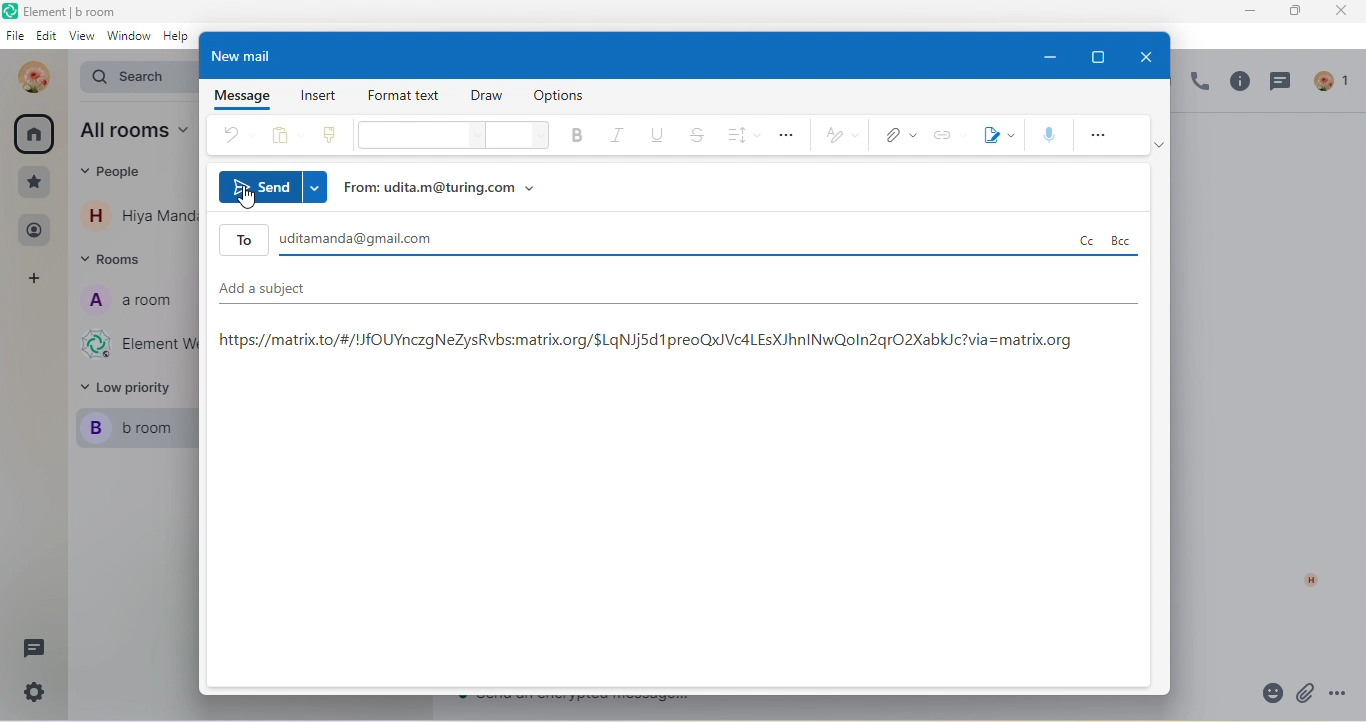 The width and height of the screenshot is (1366, 722). Describe the element at coordinates (34, 231) in the screenshot. I see `people` at that location.